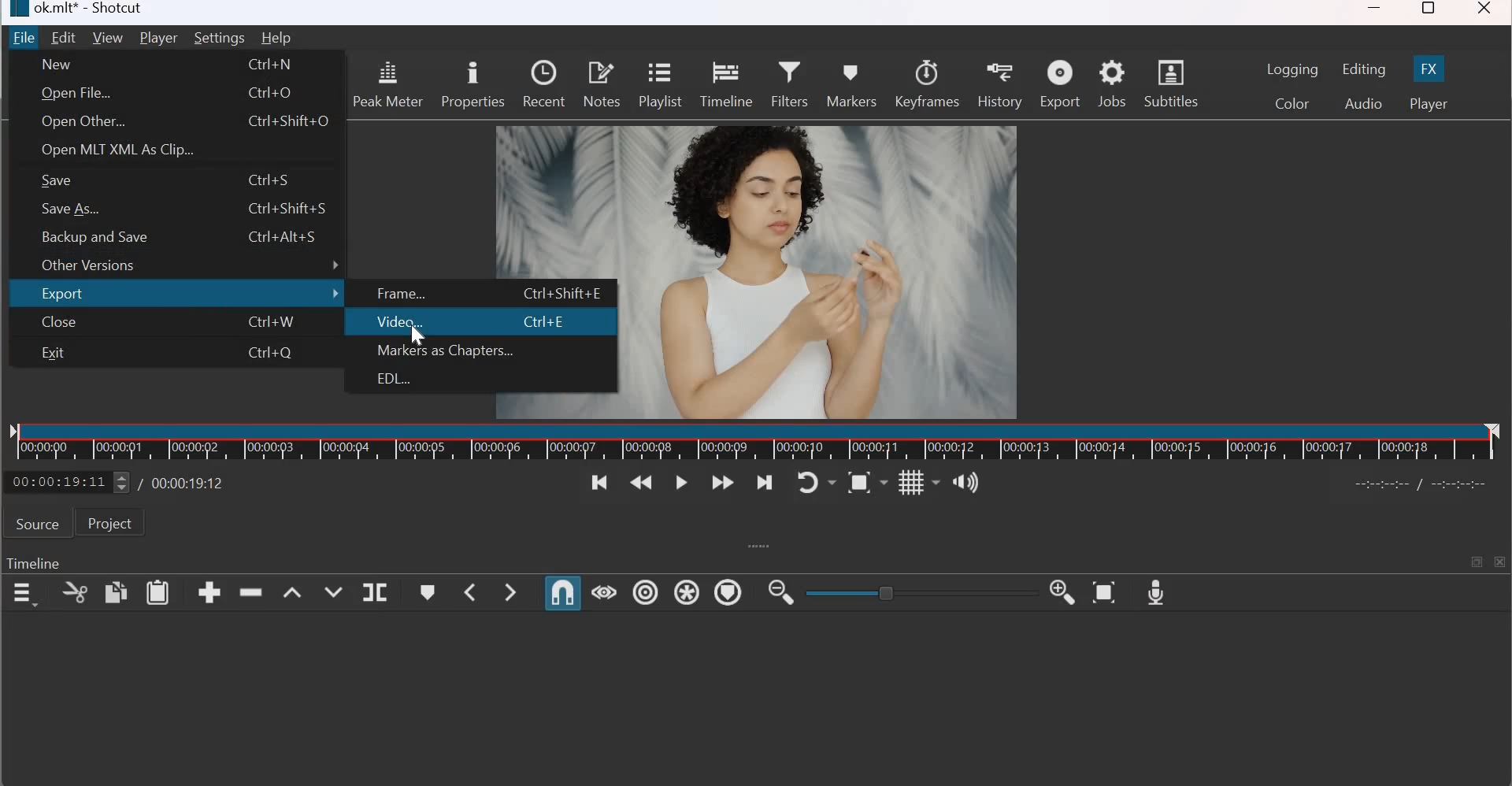 The image size is (1512, 786). I want to click on Keyframes, so click(928, 83).